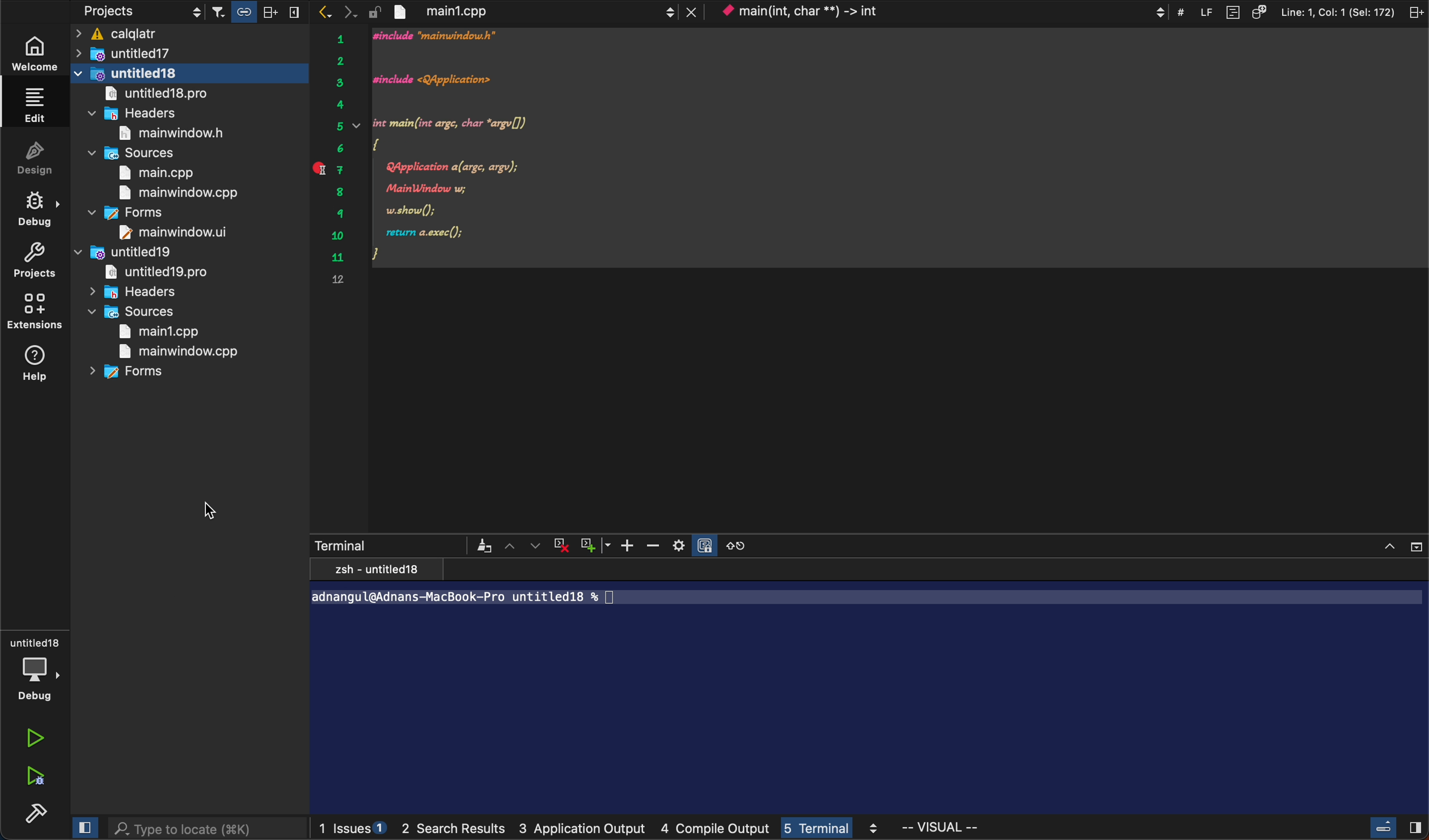  What do you see at coordinates (34, 740) in the screenshot?
I see `run` at bounding box center [34, 740].